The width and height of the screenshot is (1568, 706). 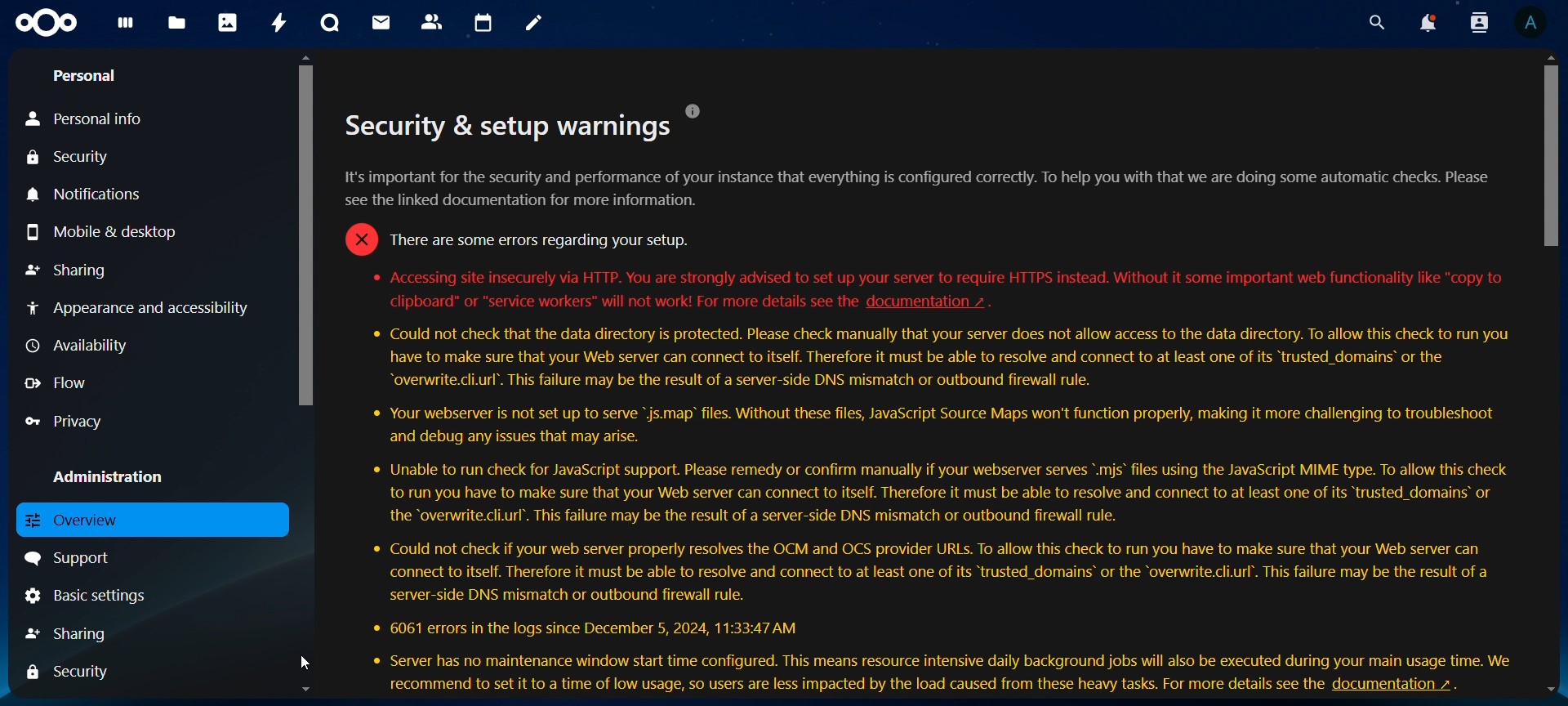 I want to click on recommend to set it to time of low usage, so users are less impacted by load caused from these heavy tasks. for fo details see the, so click(x=852, y=683).